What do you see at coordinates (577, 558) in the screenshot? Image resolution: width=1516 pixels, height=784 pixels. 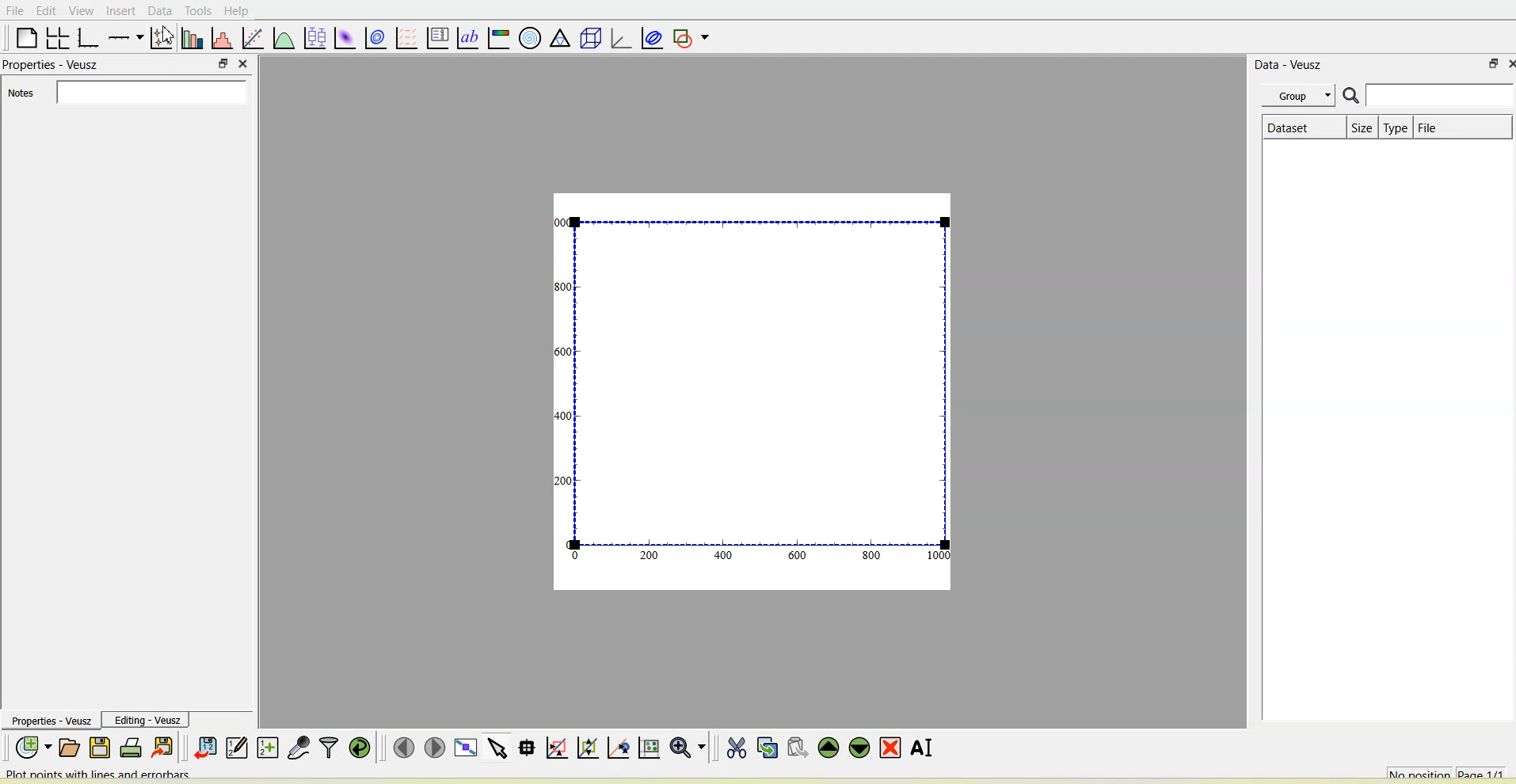 I see `0` at bounding box center [577, 558].